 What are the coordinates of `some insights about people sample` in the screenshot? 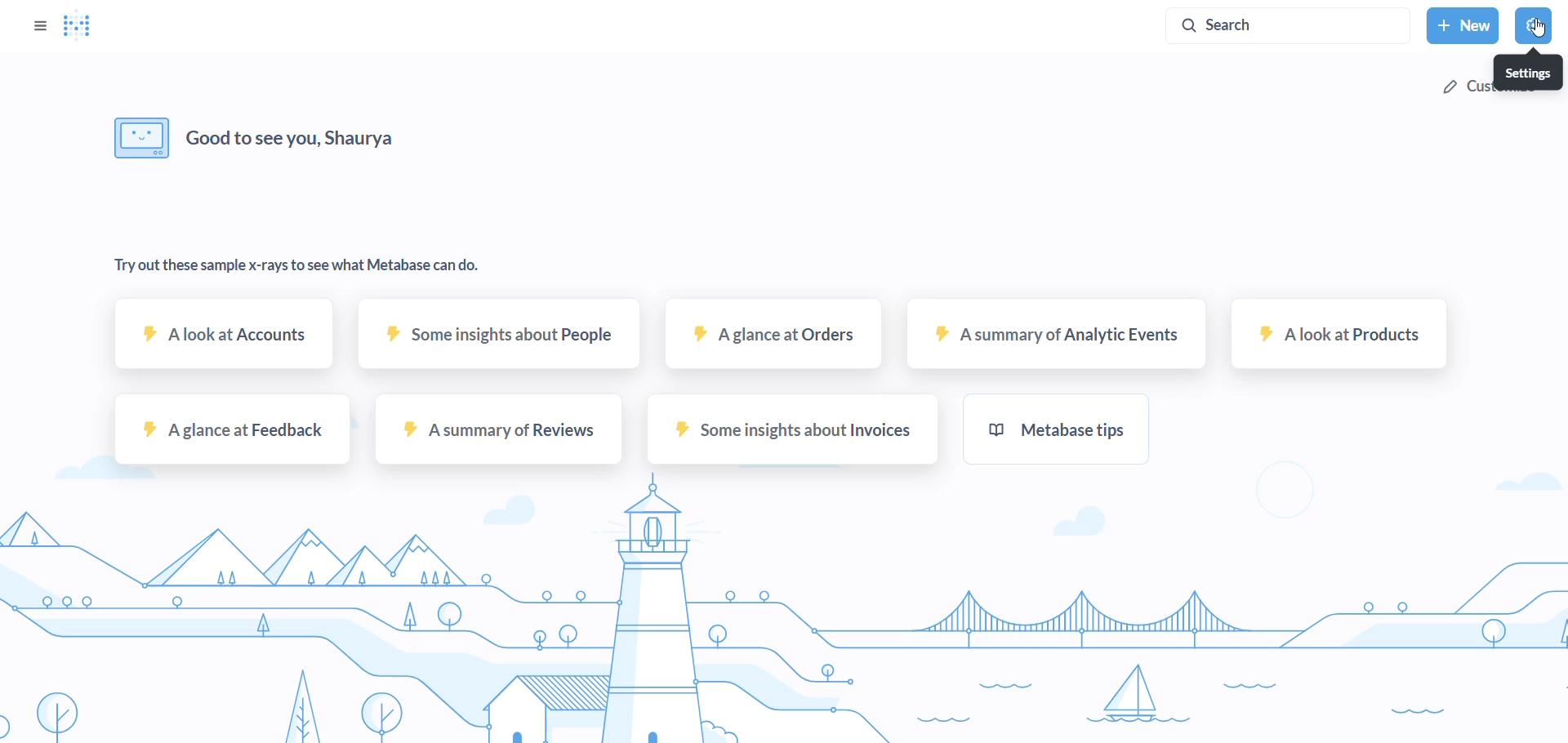 It's located at (501, 339).